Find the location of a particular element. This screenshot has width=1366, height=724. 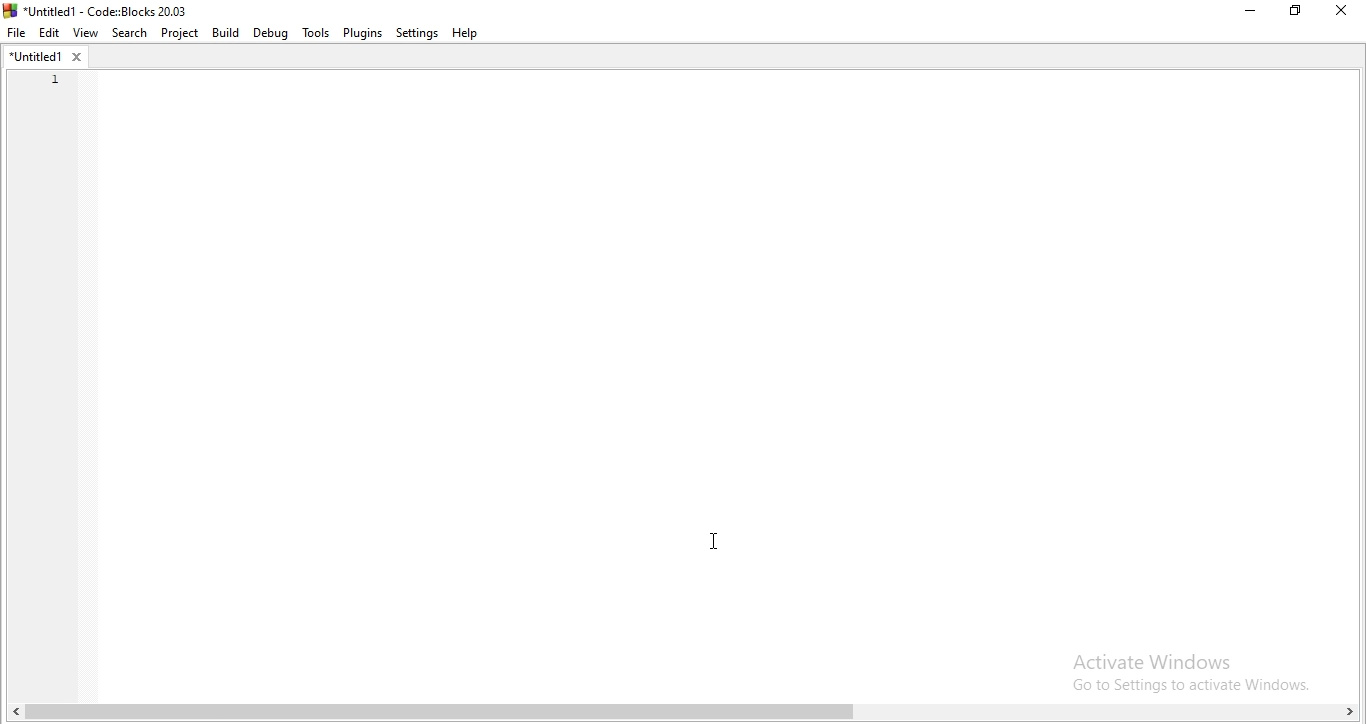

empty box is located at coordinates (141, 57).